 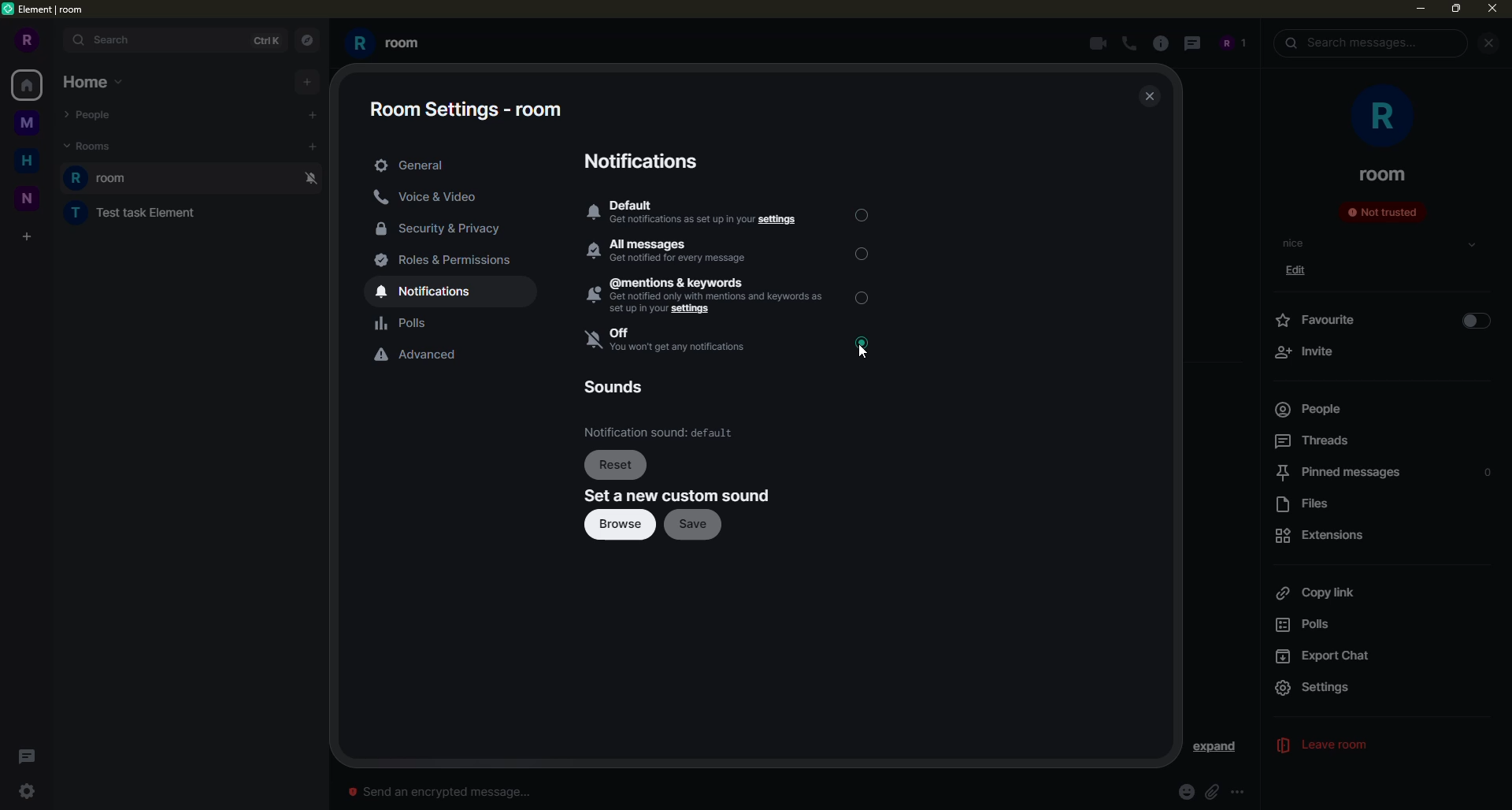 What do you see at coordinates (313, 147) in the screenshot?
I see `add` at bounding box center [313, 147].